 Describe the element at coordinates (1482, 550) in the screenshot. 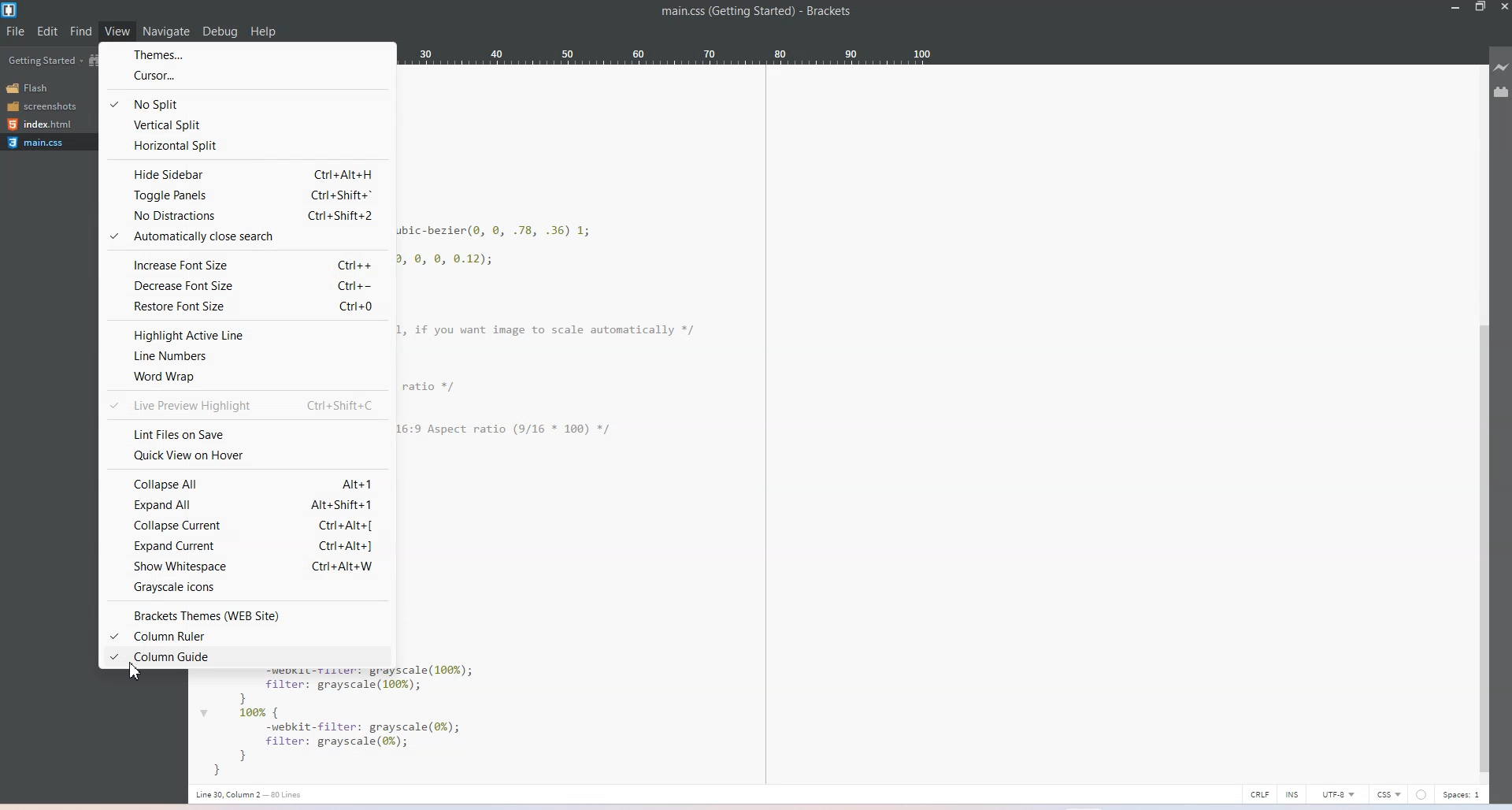

I see `Vertical Scroll bar` at that location.